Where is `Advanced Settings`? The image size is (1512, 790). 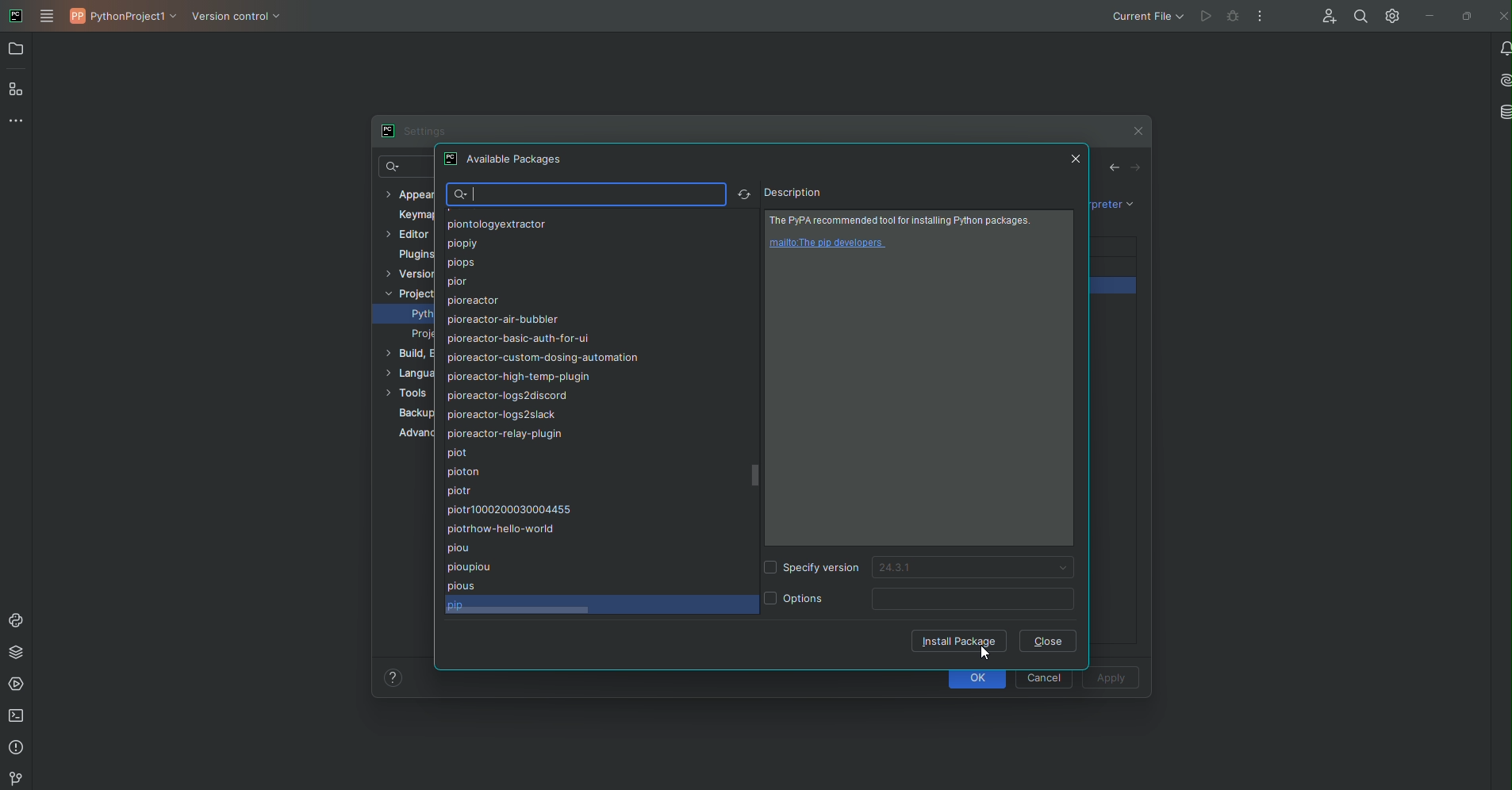
Advanced Settings is located at coordinates (414, 435).